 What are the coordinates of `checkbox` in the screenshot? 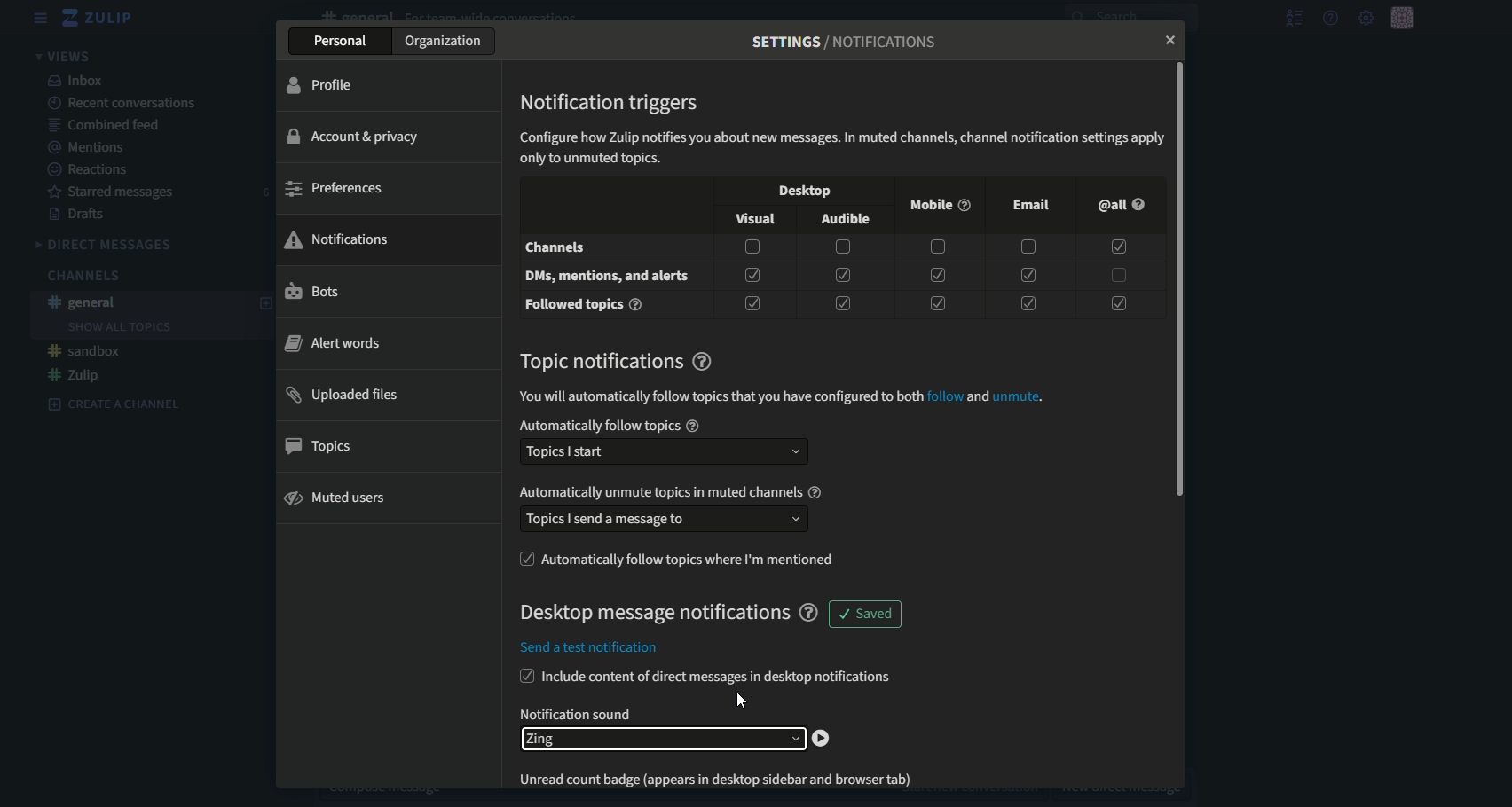 It's located at (842, 303).